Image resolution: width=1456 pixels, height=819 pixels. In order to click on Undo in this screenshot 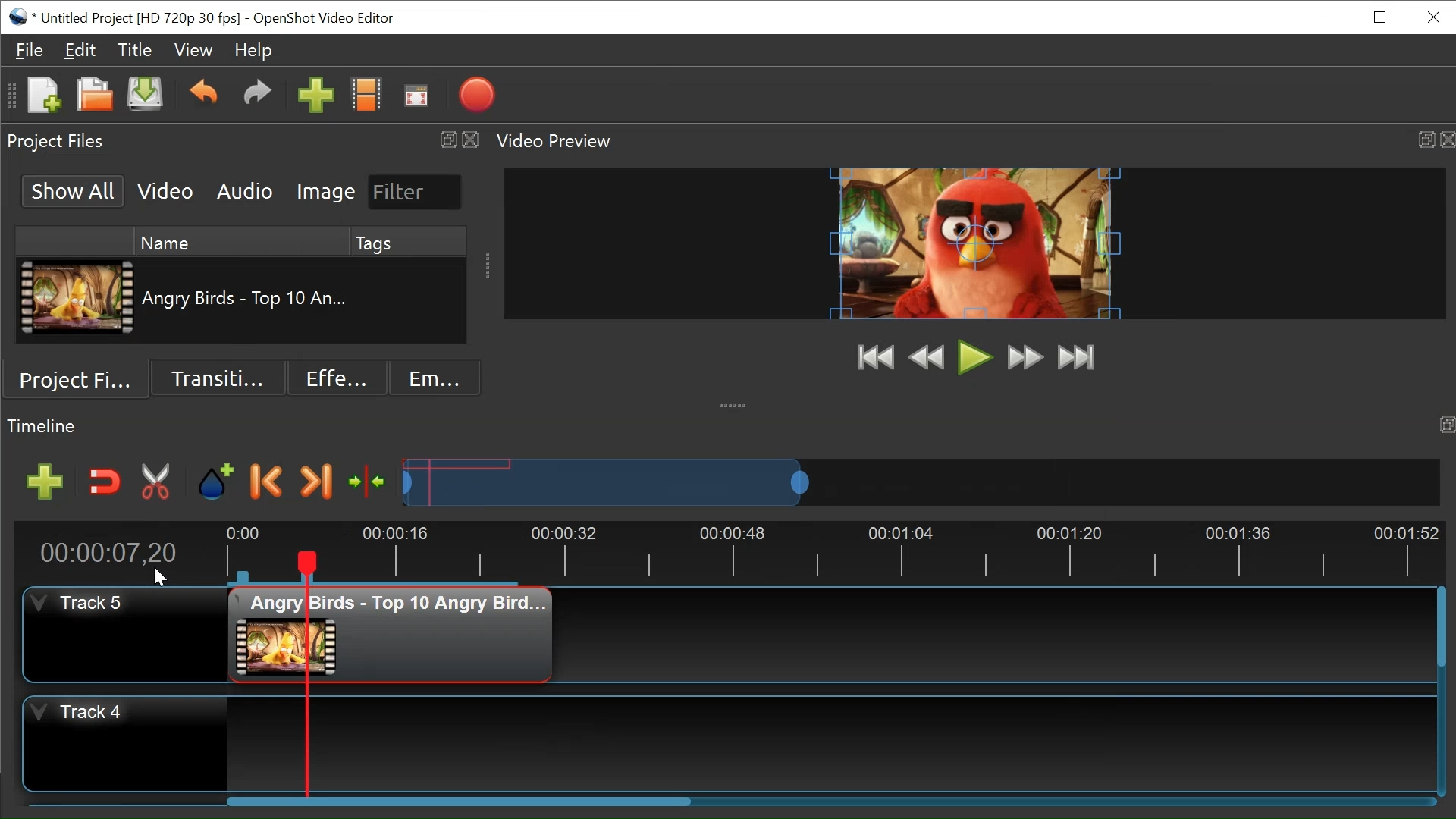, I will do `click(206, 96)`.